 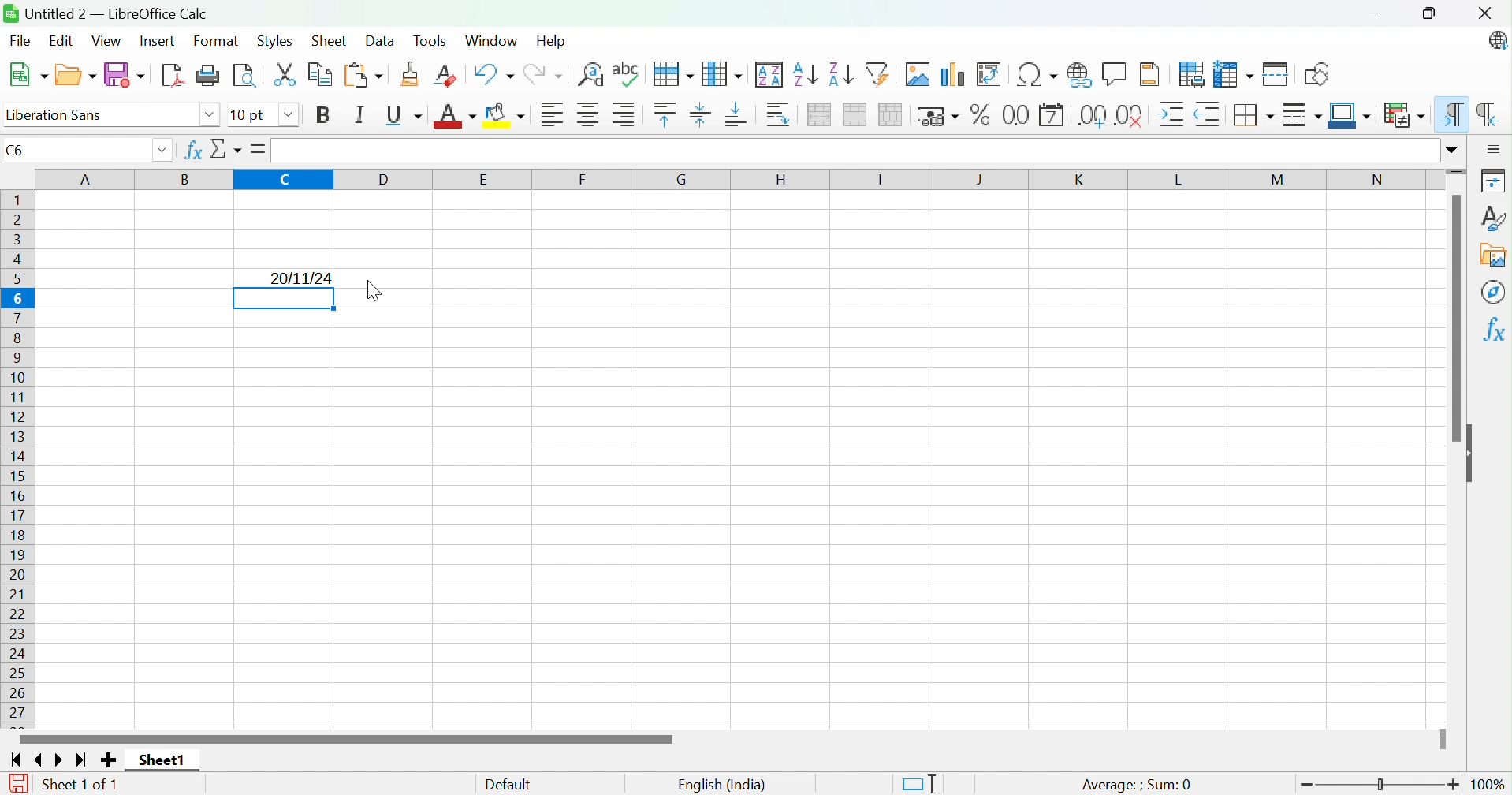 I want to click on Zoom in, so click(x=1456, y=785).